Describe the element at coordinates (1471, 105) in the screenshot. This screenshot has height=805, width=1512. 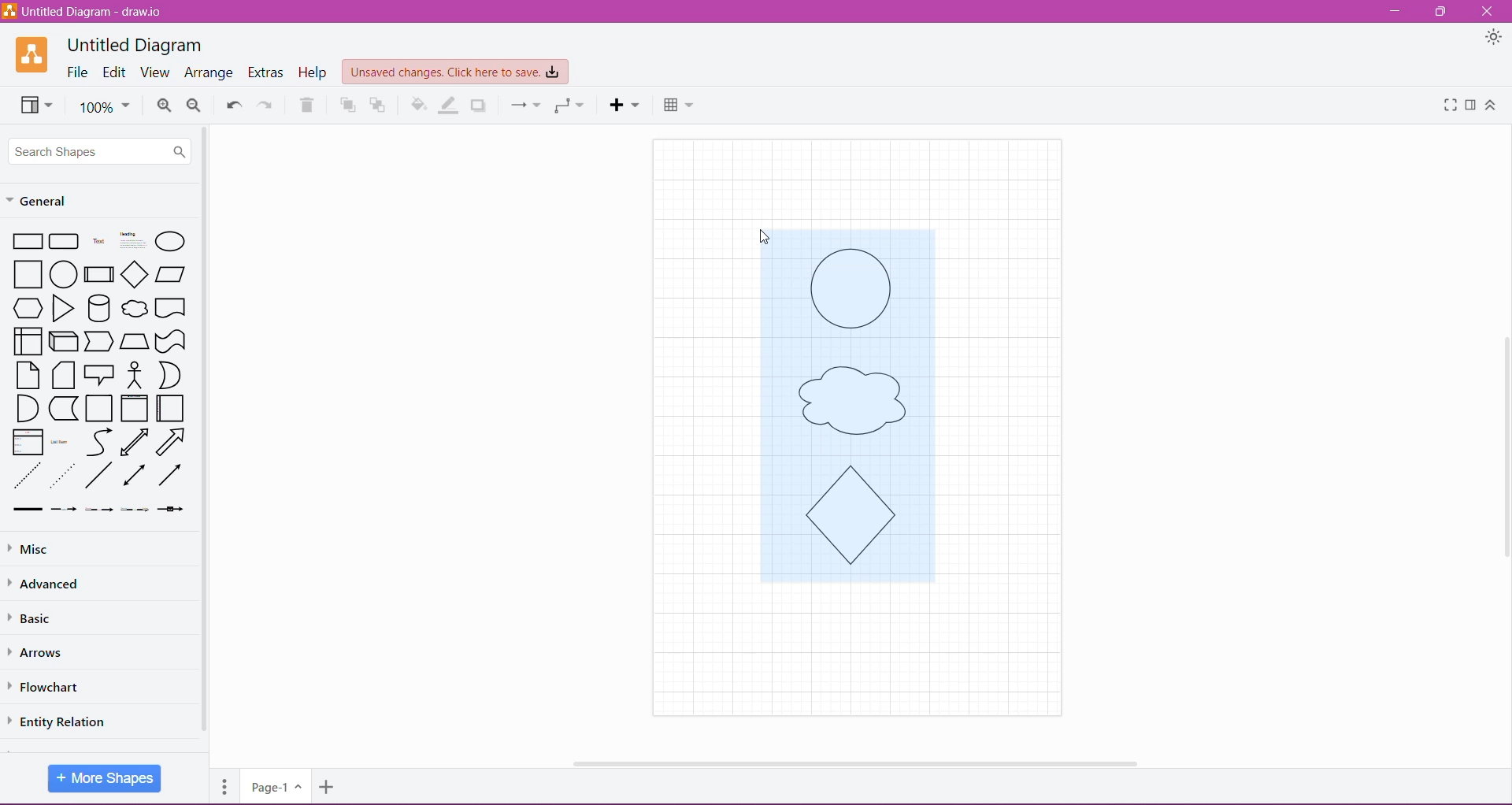
I see `Format` at that location.